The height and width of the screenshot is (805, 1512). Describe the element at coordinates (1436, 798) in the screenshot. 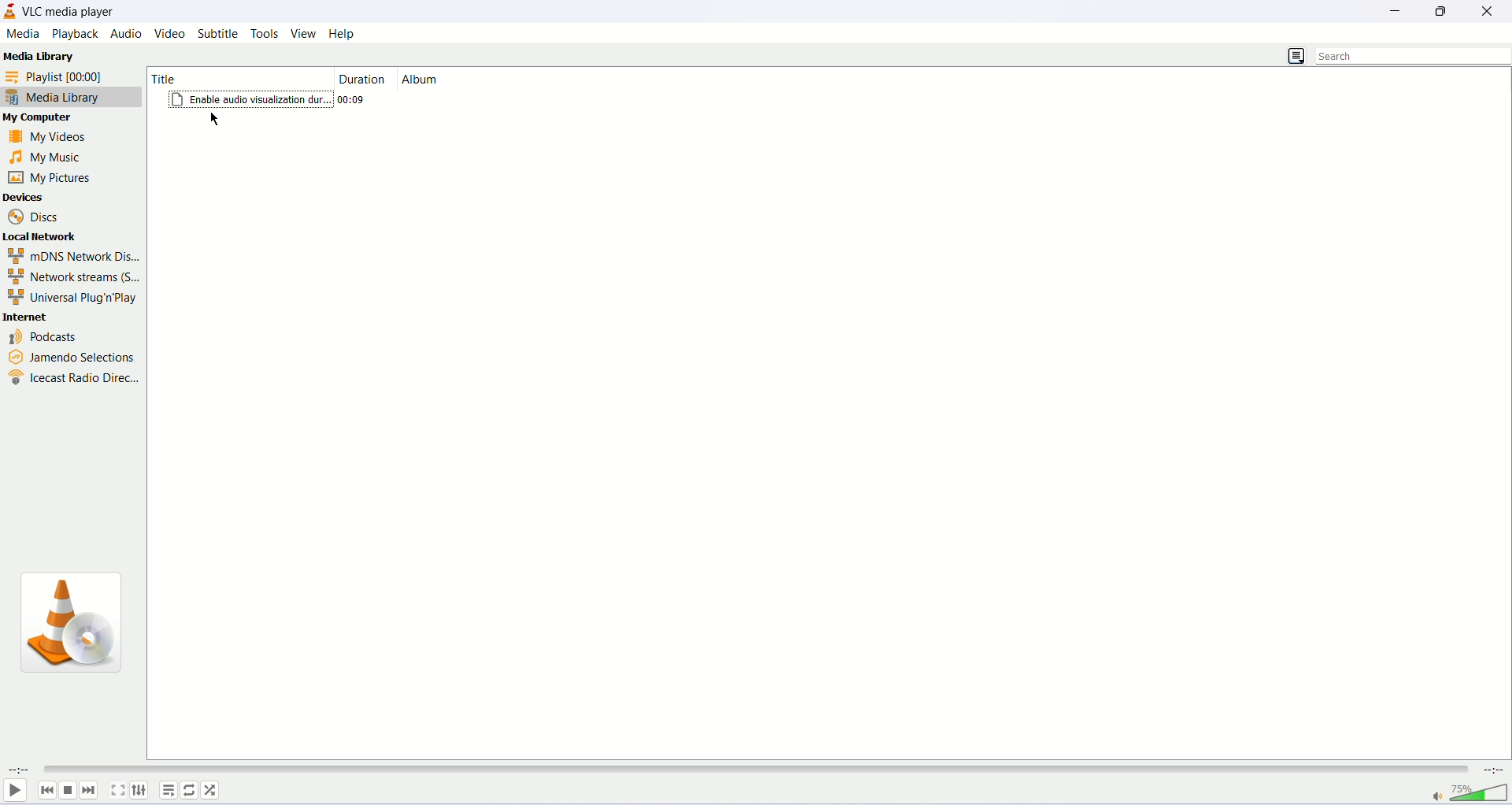

I see `mute` at that location.